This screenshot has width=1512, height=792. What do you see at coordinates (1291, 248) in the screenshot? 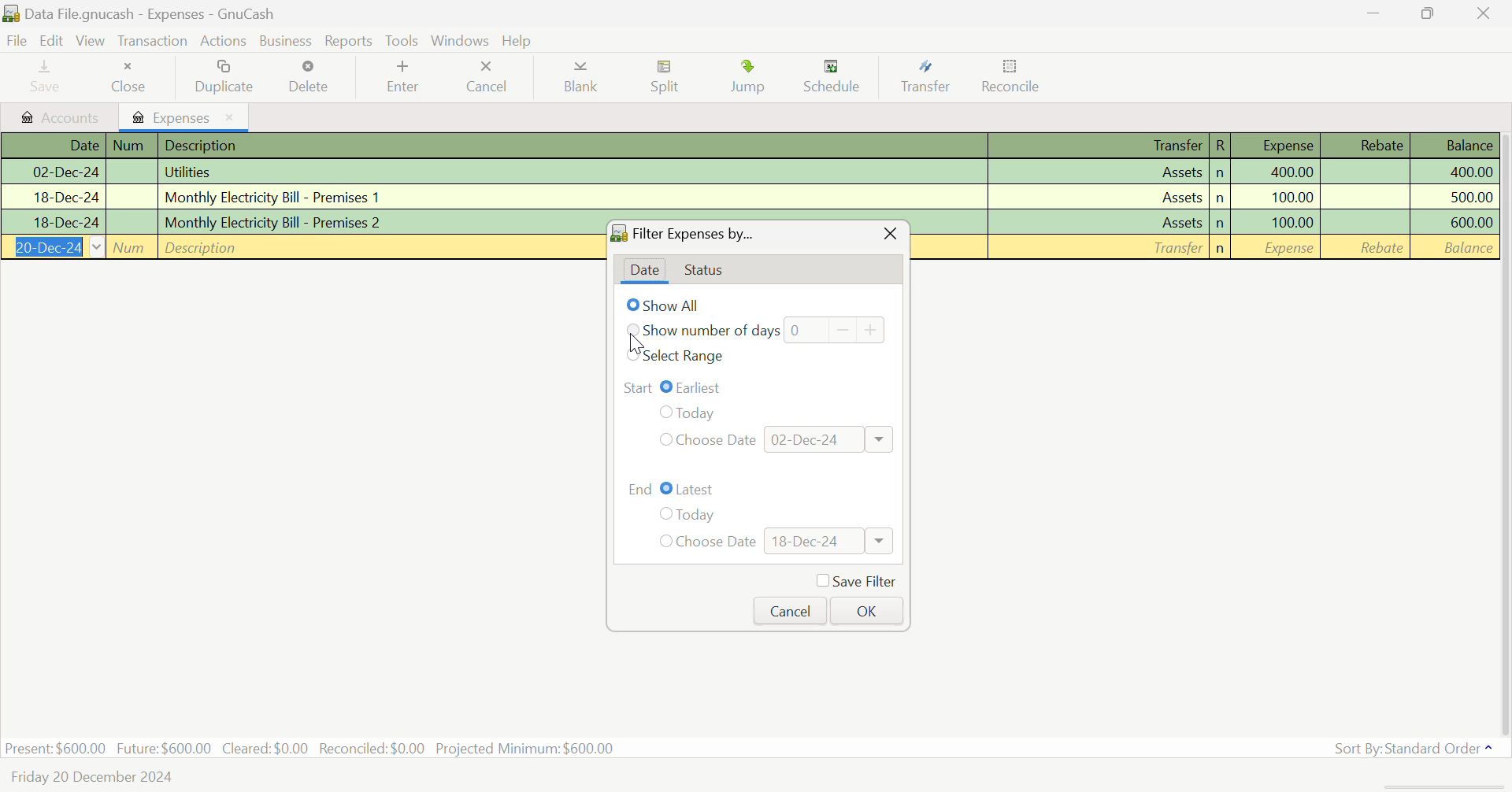
I see `Amount` at bounding box center [1291, 248].